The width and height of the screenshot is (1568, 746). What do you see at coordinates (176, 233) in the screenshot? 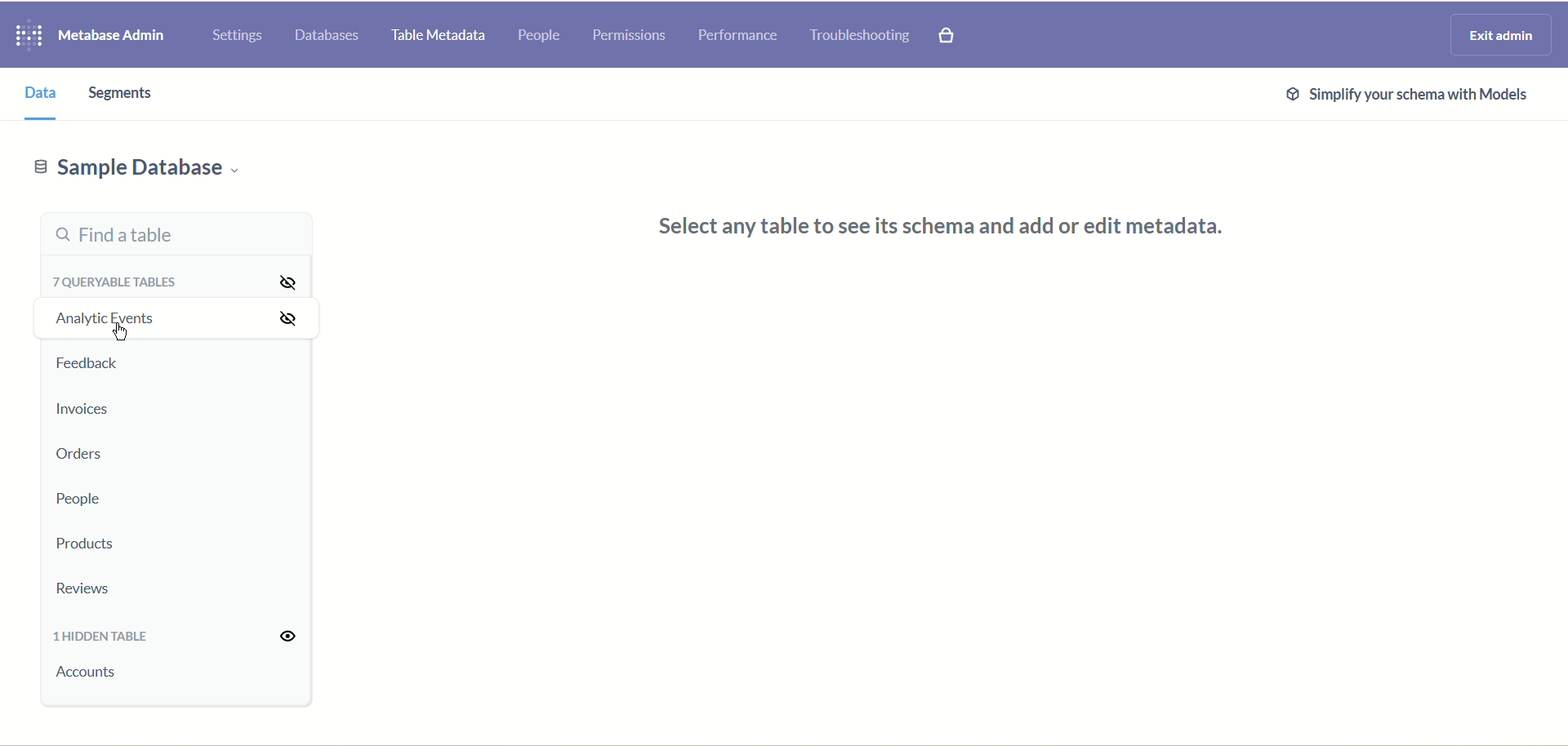
I see `find a table` at bounding box center [176, 233].